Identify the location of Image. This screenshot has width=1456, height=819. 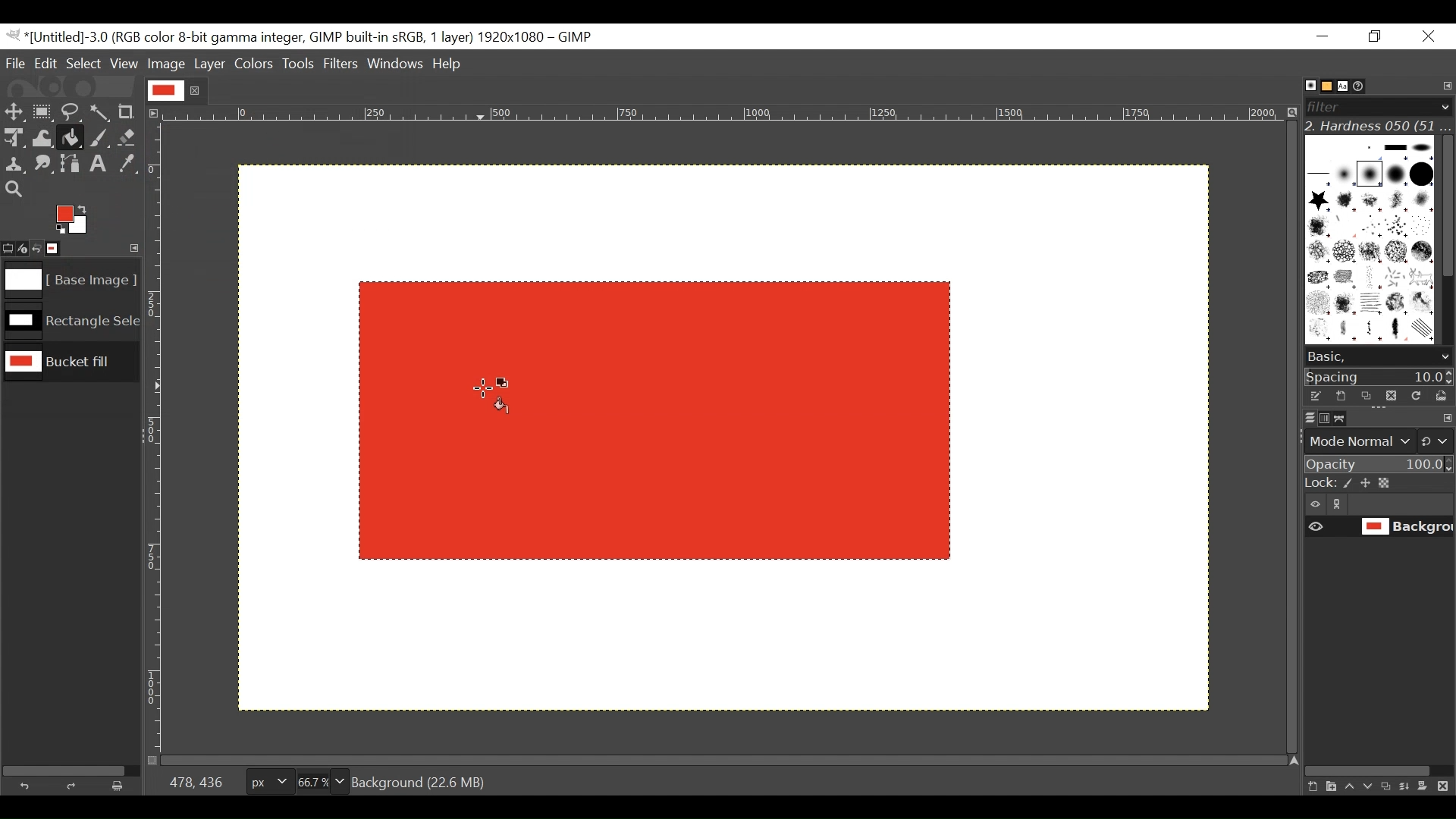
(71, 325).